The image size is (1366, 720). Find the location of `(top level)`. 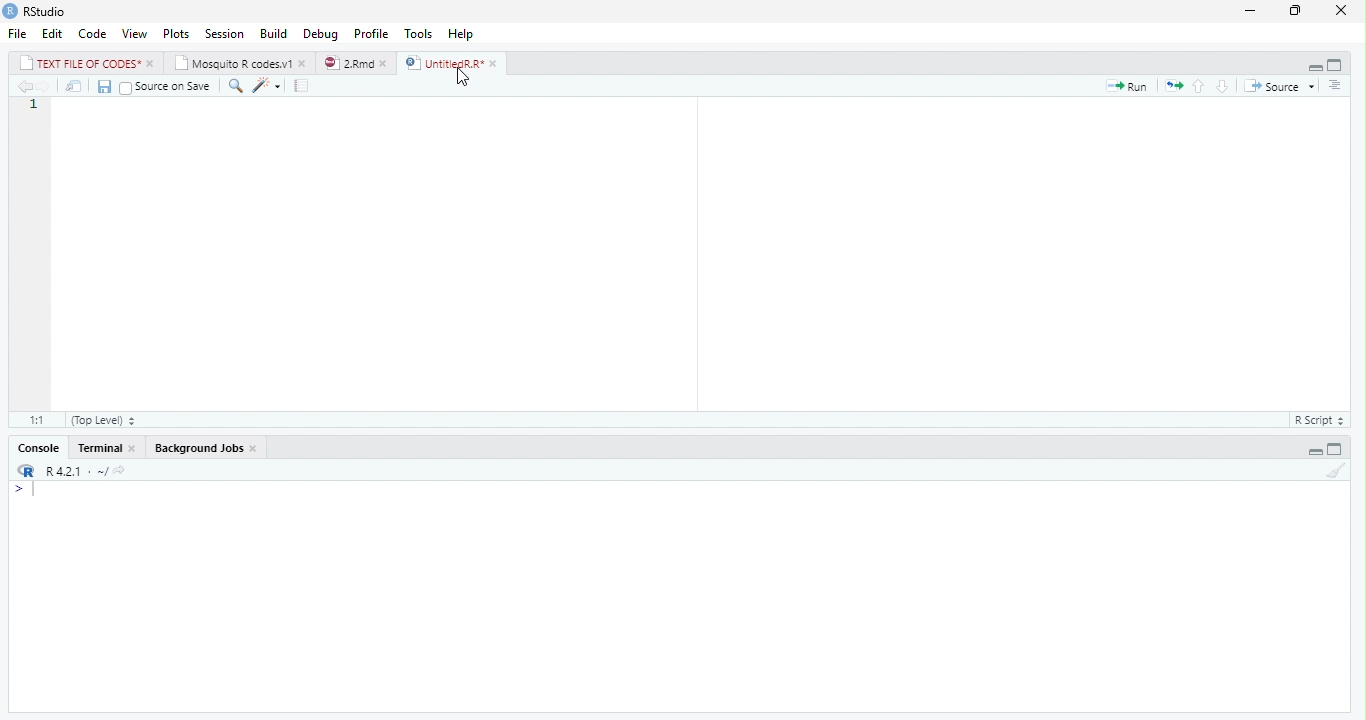

(top level) is located at coordinates (101, 420).